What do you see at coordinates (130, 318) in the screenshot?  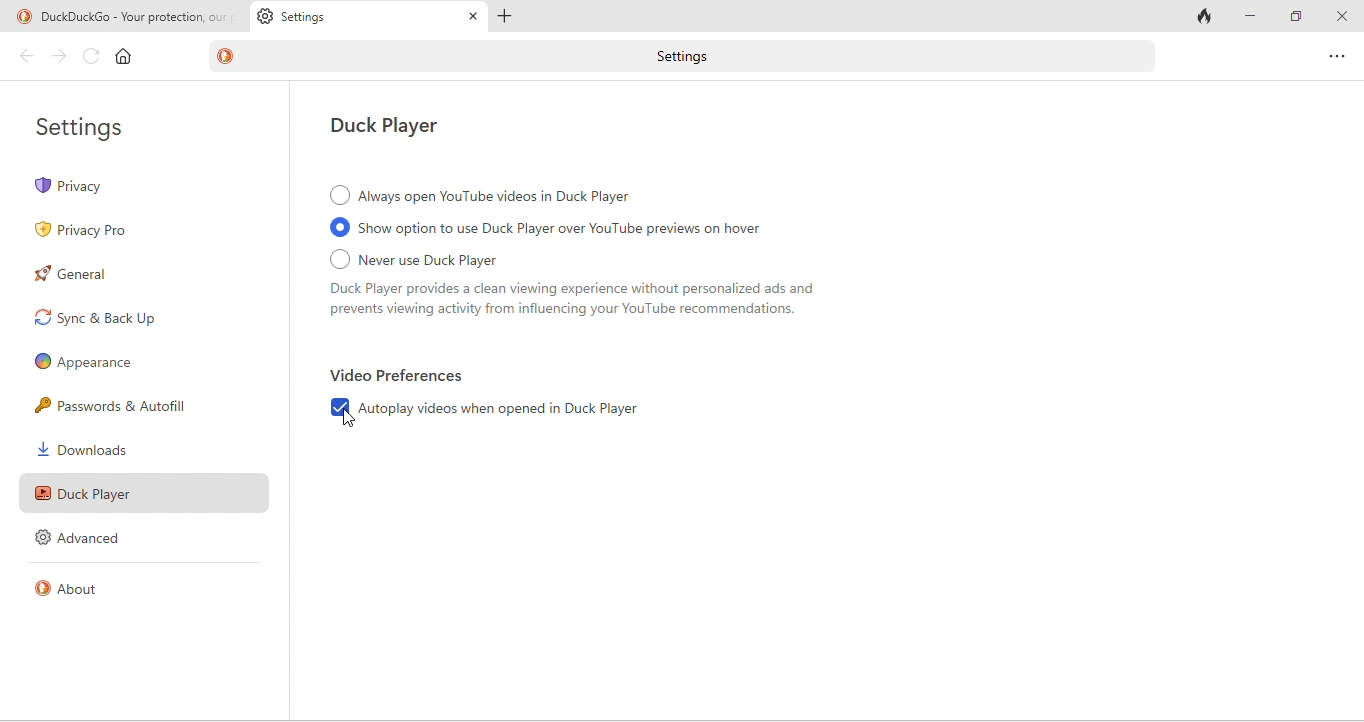 I see `sync and back up` at bounding box center [130, 318].